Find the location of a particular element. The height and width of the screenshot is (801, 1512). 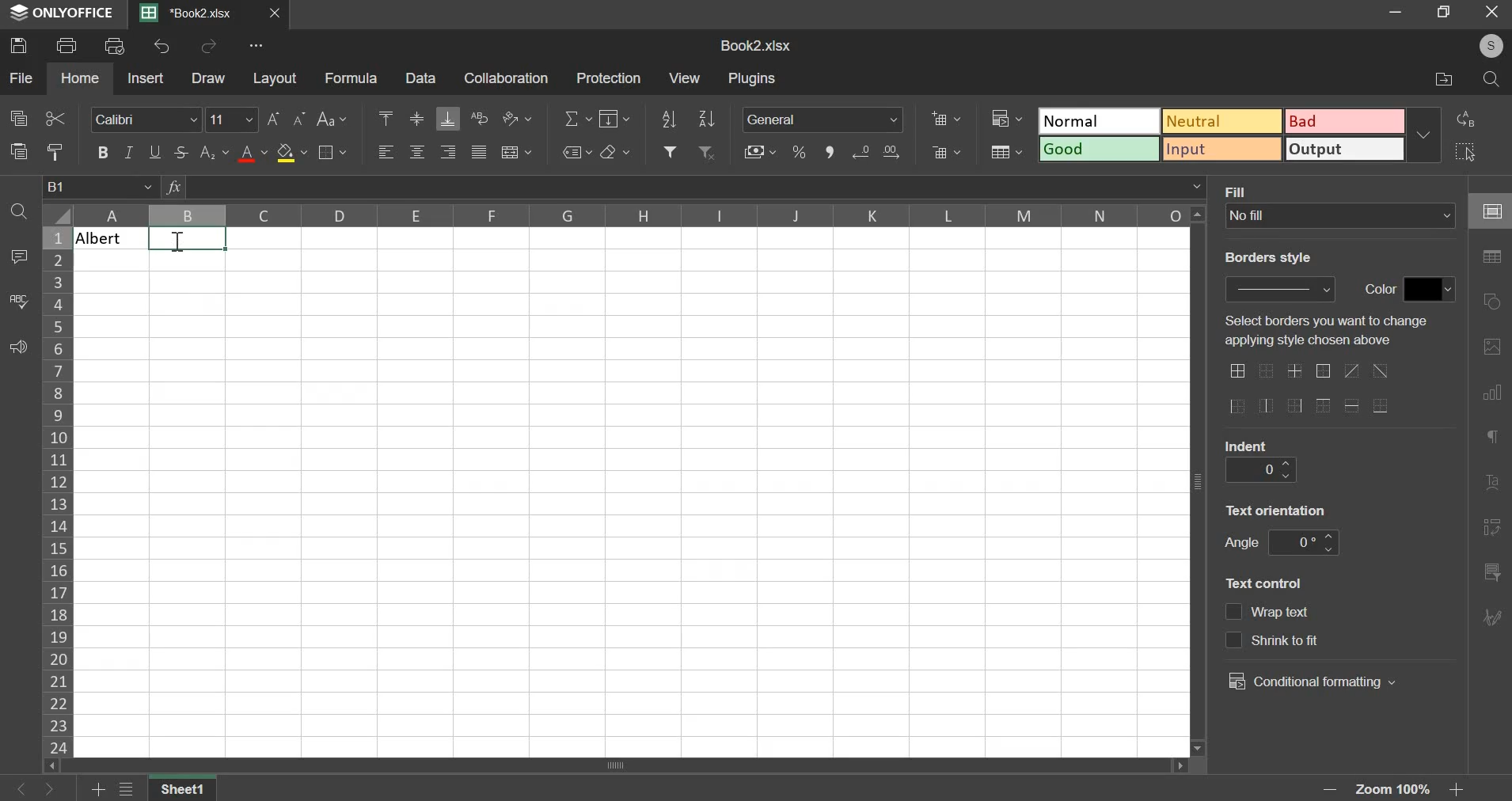

borders is located at coordinates (330, 152).